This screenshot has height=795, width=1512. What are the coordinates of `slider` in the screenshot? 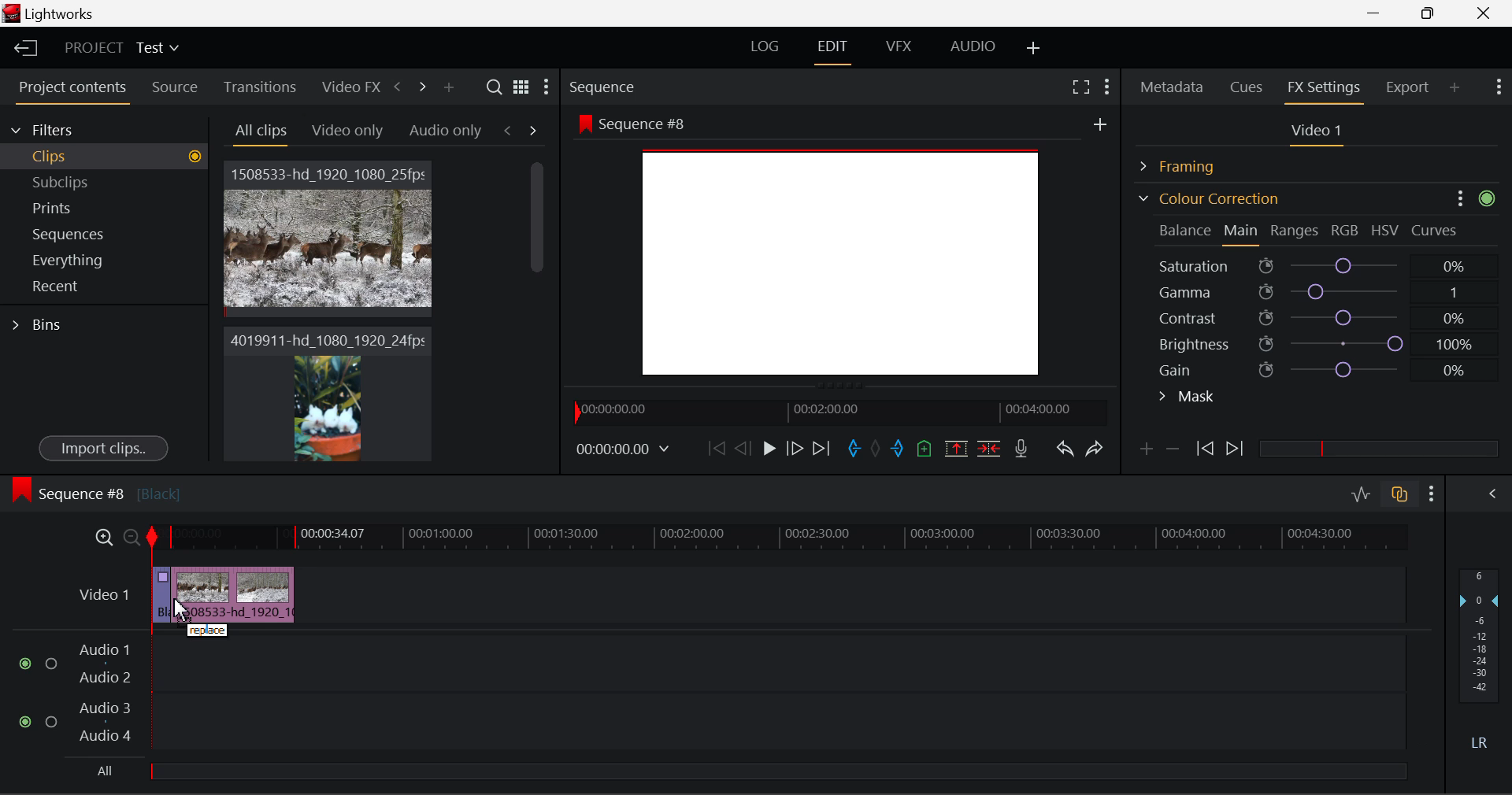 It's located at (777, 771).